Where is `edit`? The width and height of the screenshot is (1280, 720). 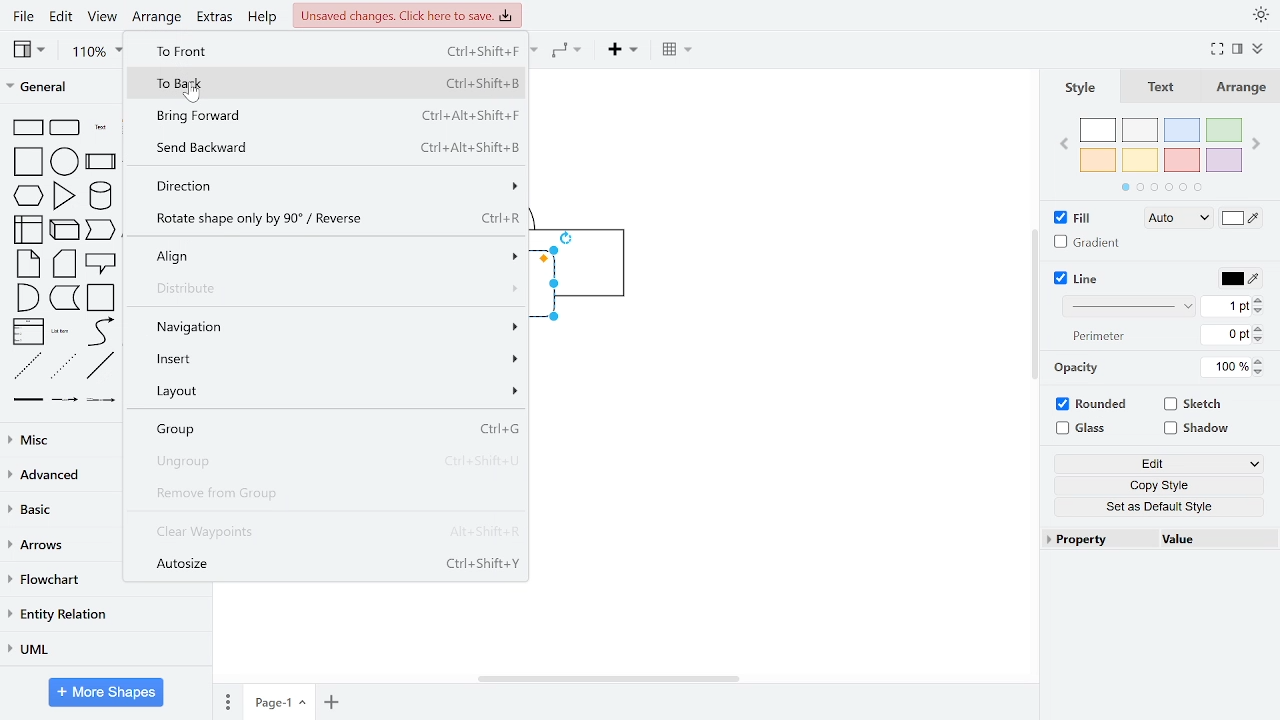
edit is located at coordinates (61, 16).